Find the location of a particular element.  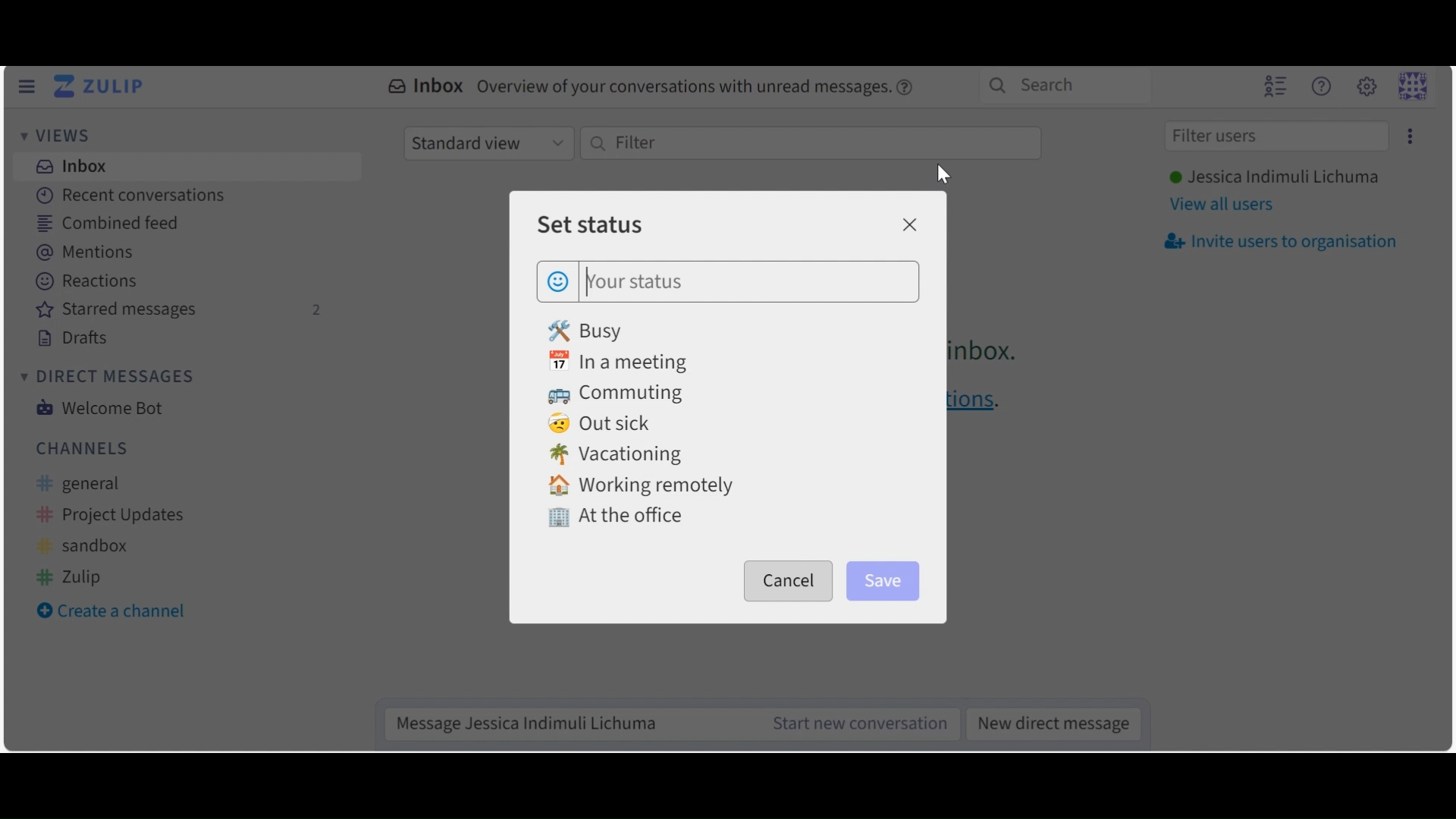

View all users is located at coordinates (1222, 206).